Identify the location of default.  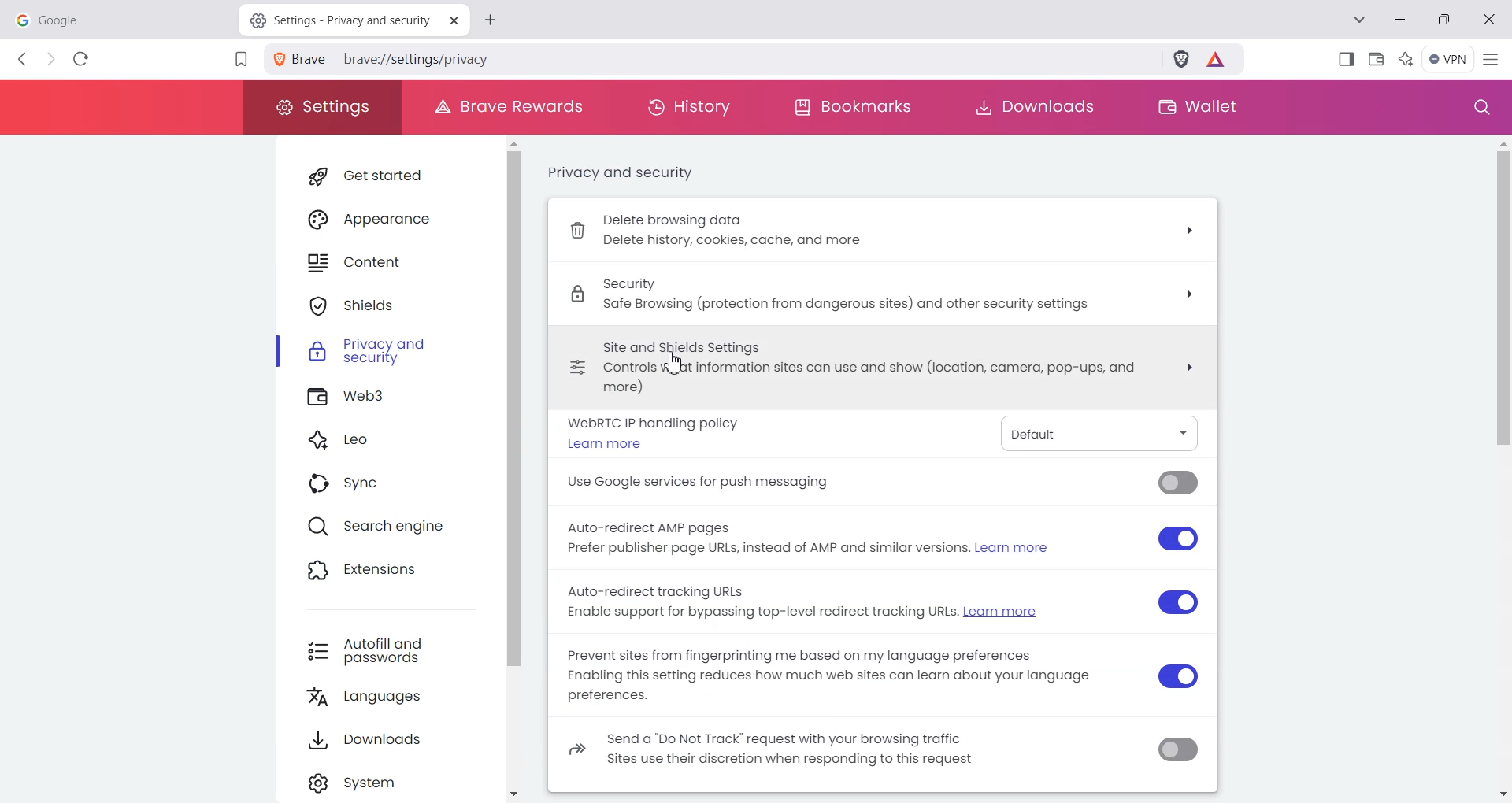
(1095, 432).